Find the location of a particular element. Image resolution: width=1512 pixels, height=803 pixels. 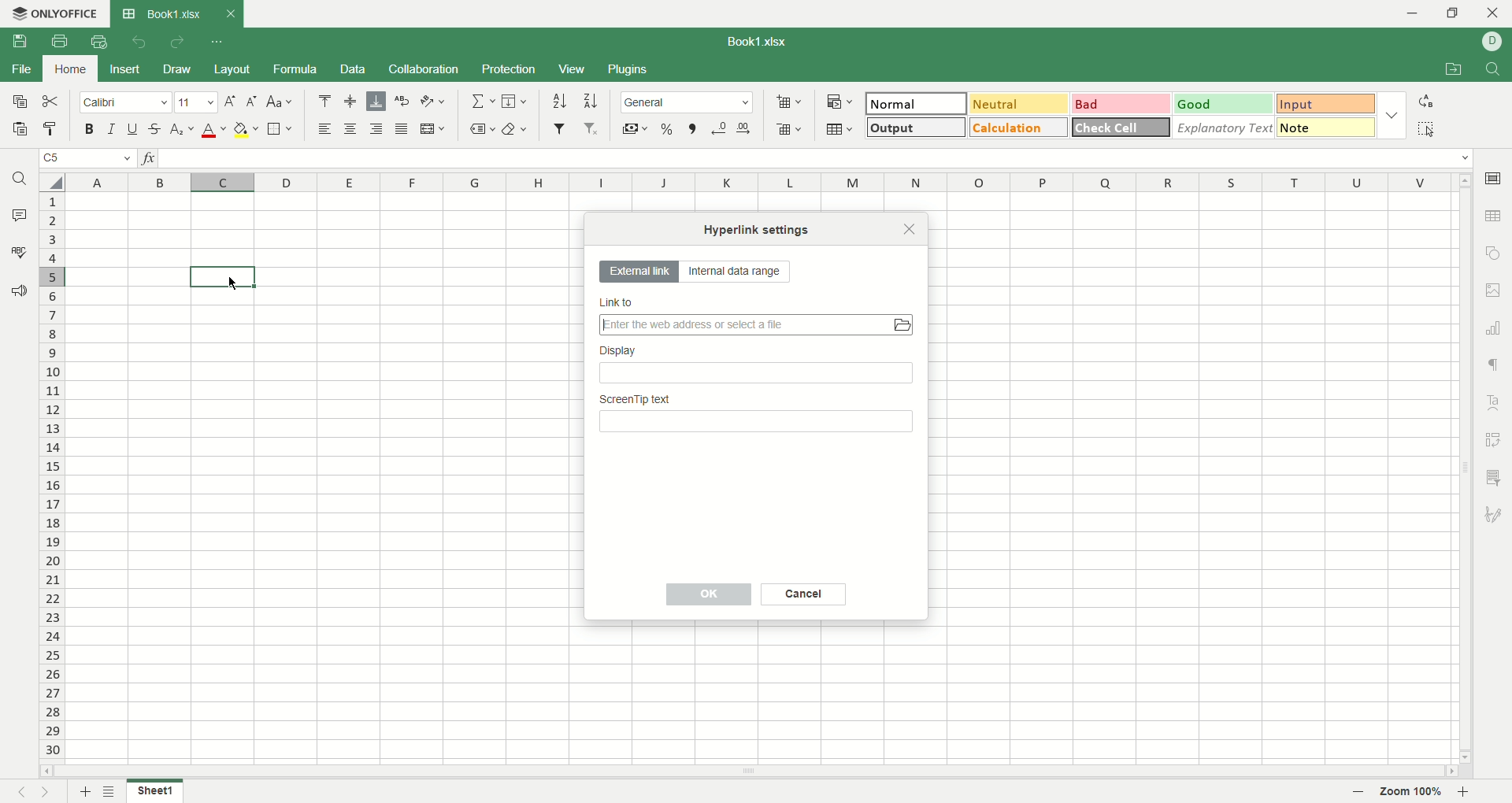

font color is located at coordinates (211, 131).